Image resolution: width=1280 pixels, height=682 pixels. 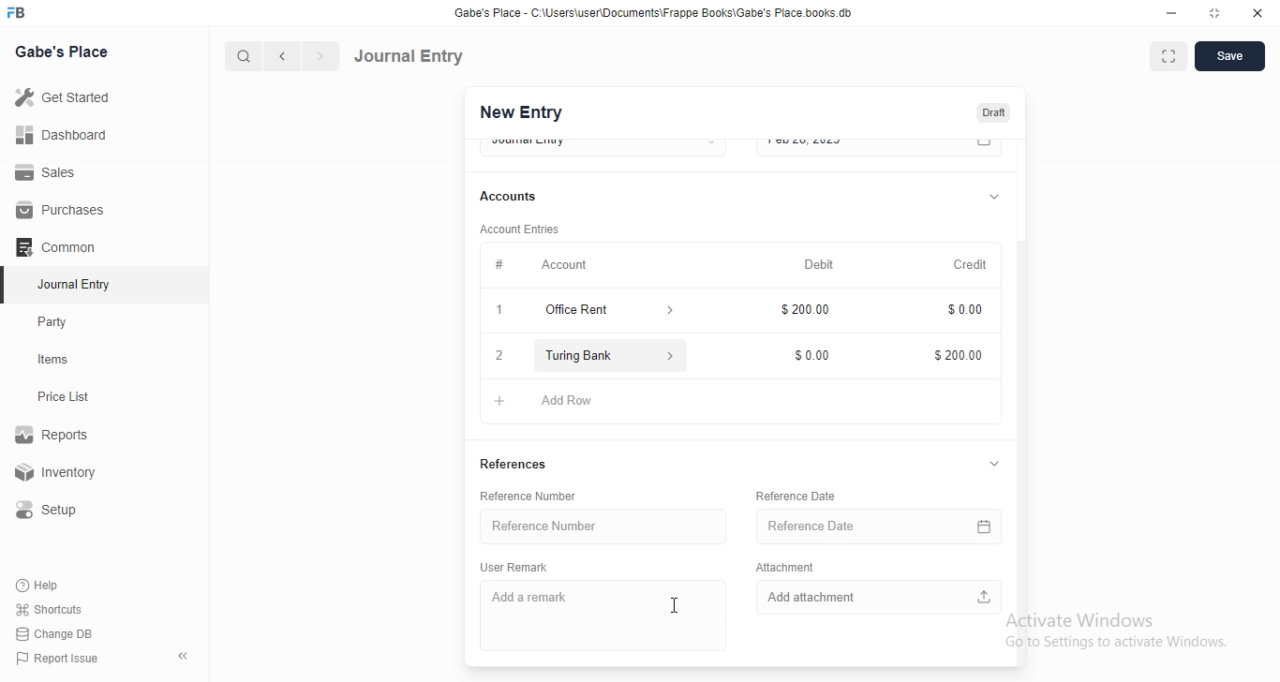 What do you see at coordinates (77, 284) in the screenshot?
I see `‘Journal Entry` at bounding box center [77, 284].